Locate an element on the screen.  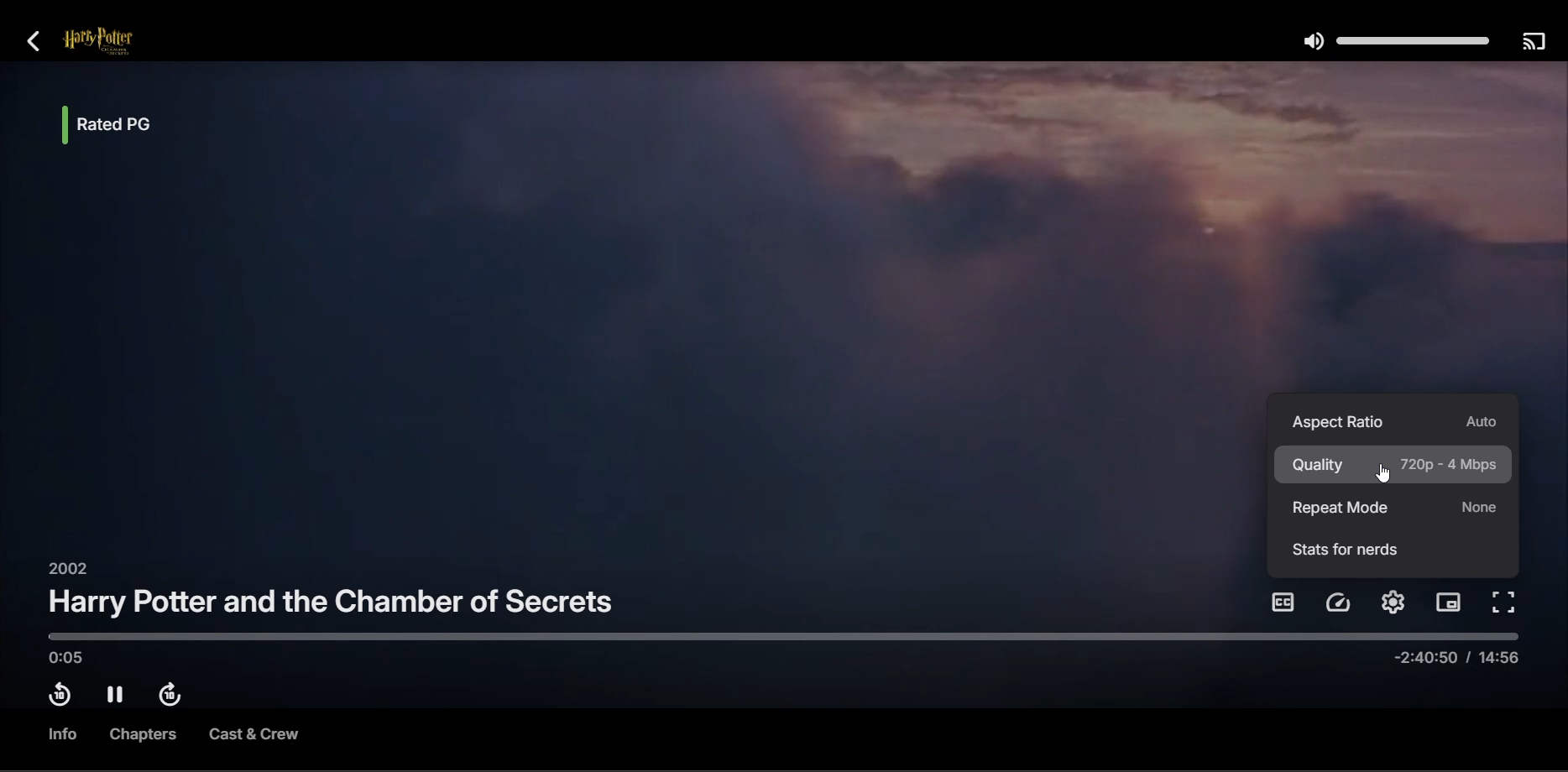
Movie Yerar and Title is located at coordinates (332, 594).